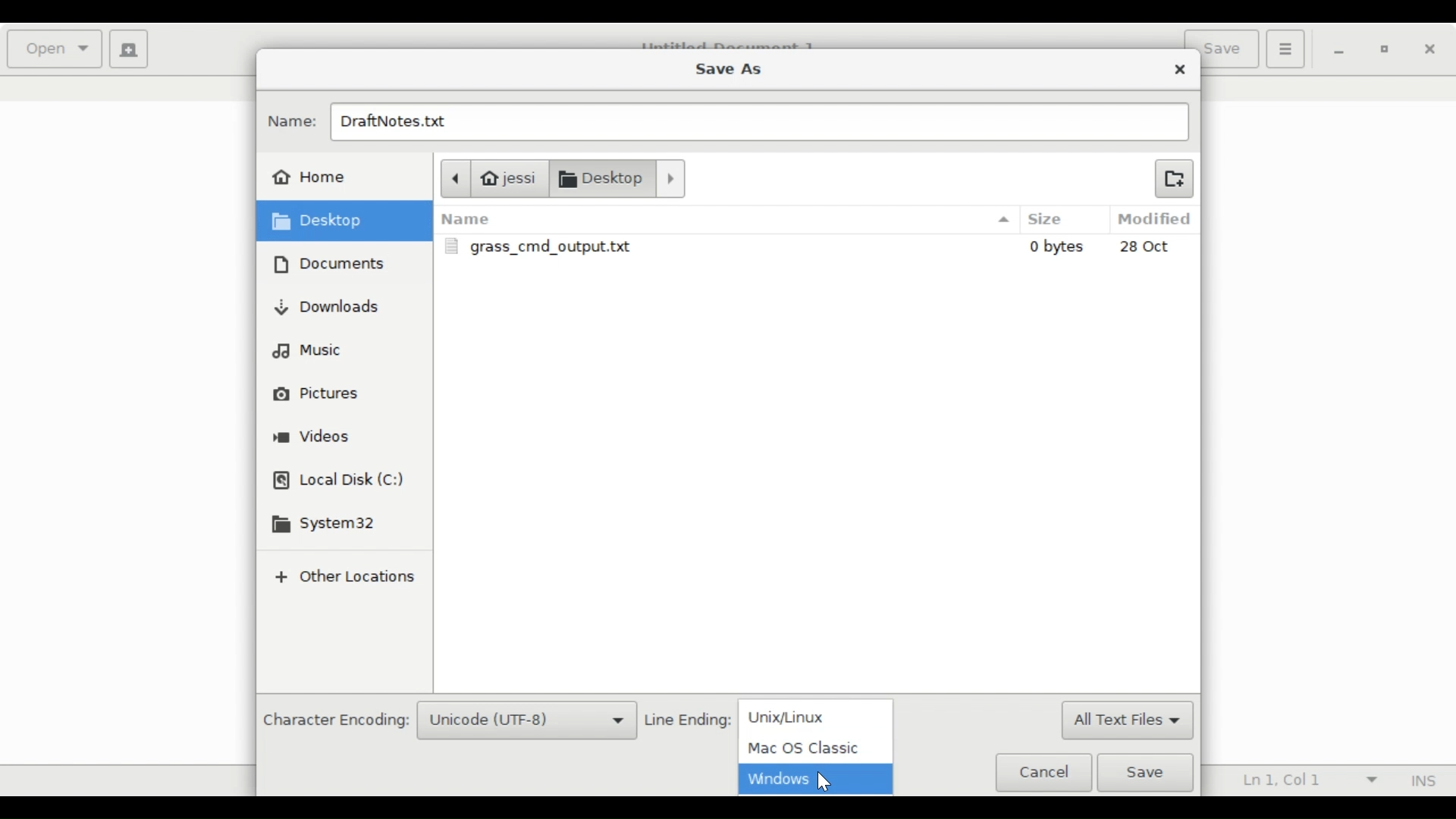 The height and width of the screenshot is (819, 1456). Describe the element at coordinates (313, 438) in the screenshot. I see `Videos` at that location.